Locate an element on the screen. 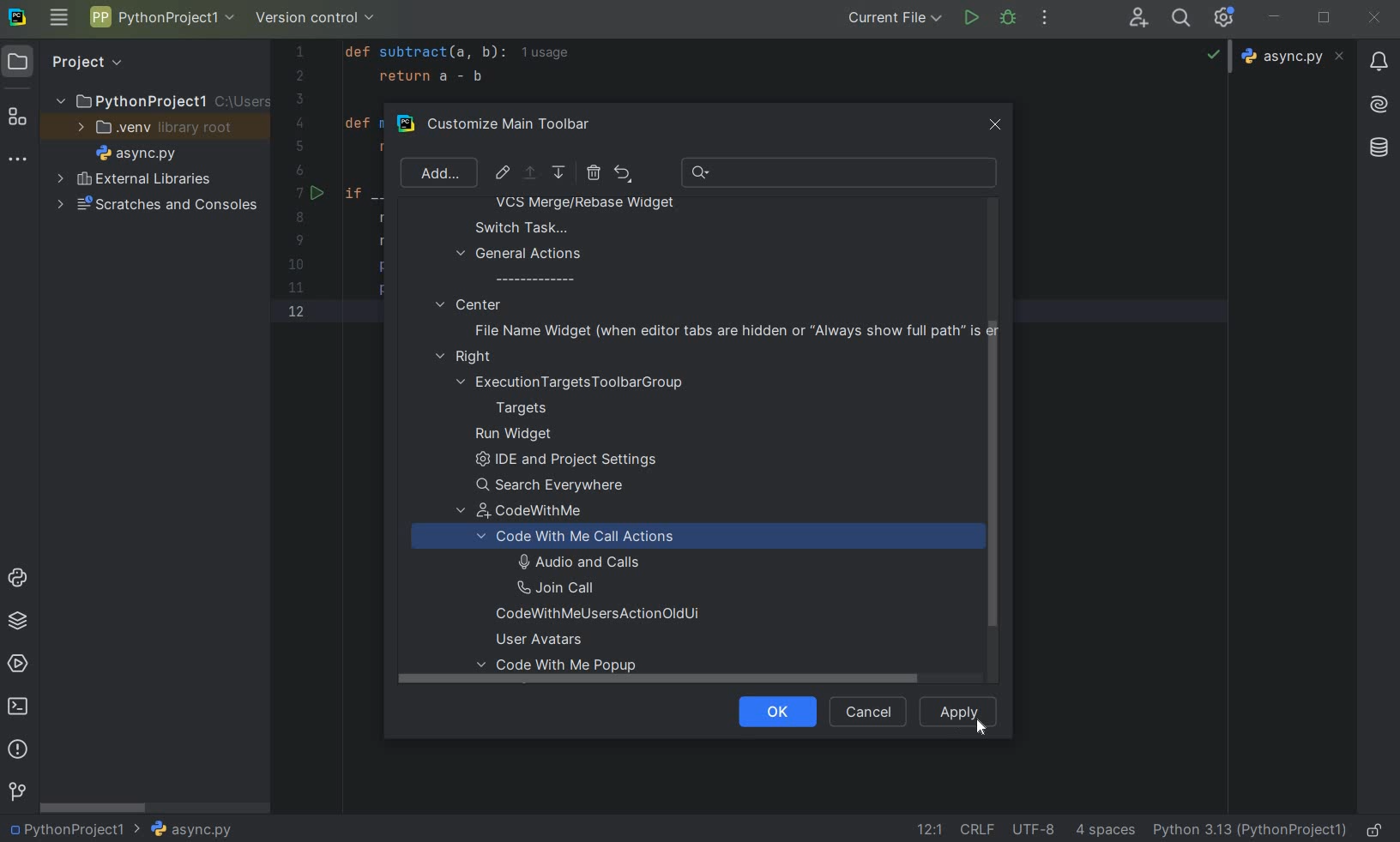 Image resolution: width=1400 pixels, height=842 pixels. PROJECT NAME is located at coordinates (161, 20).